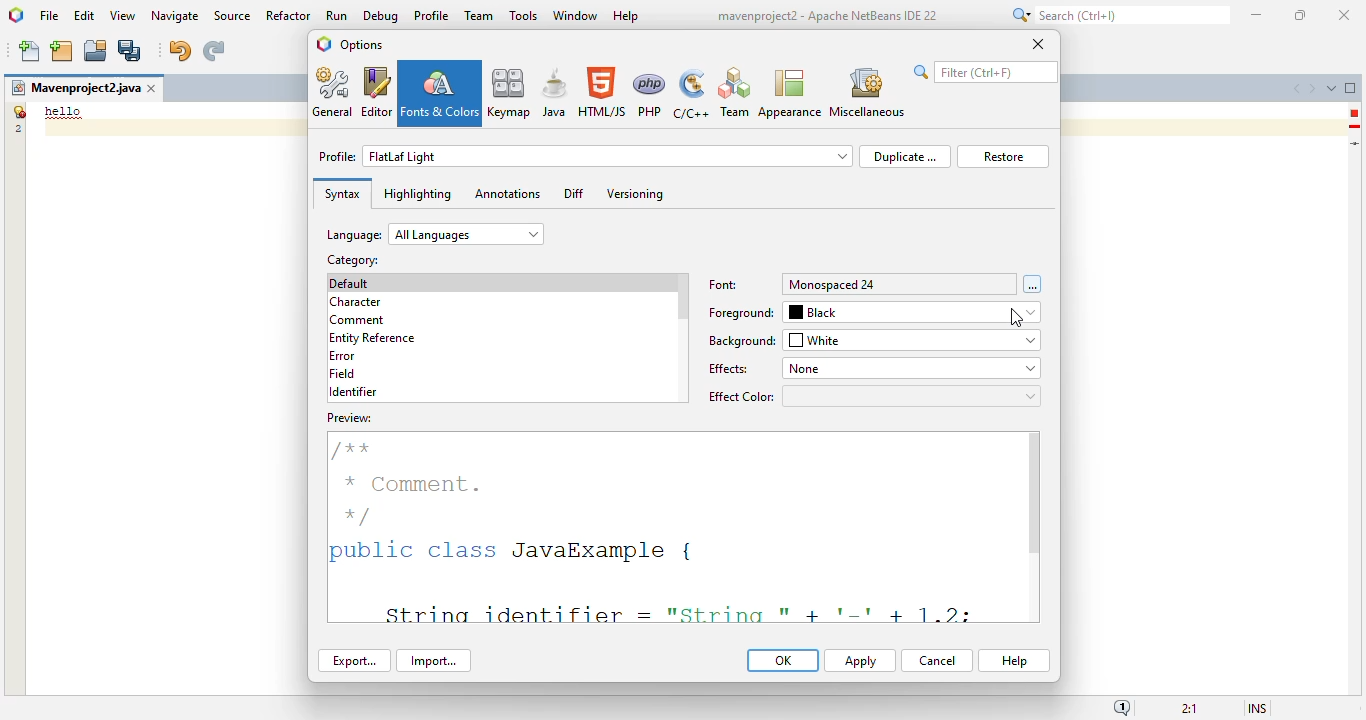 The width and height of the screenshot is (1366, 720). I want to click on scroll documents left, so click(1299, 89).